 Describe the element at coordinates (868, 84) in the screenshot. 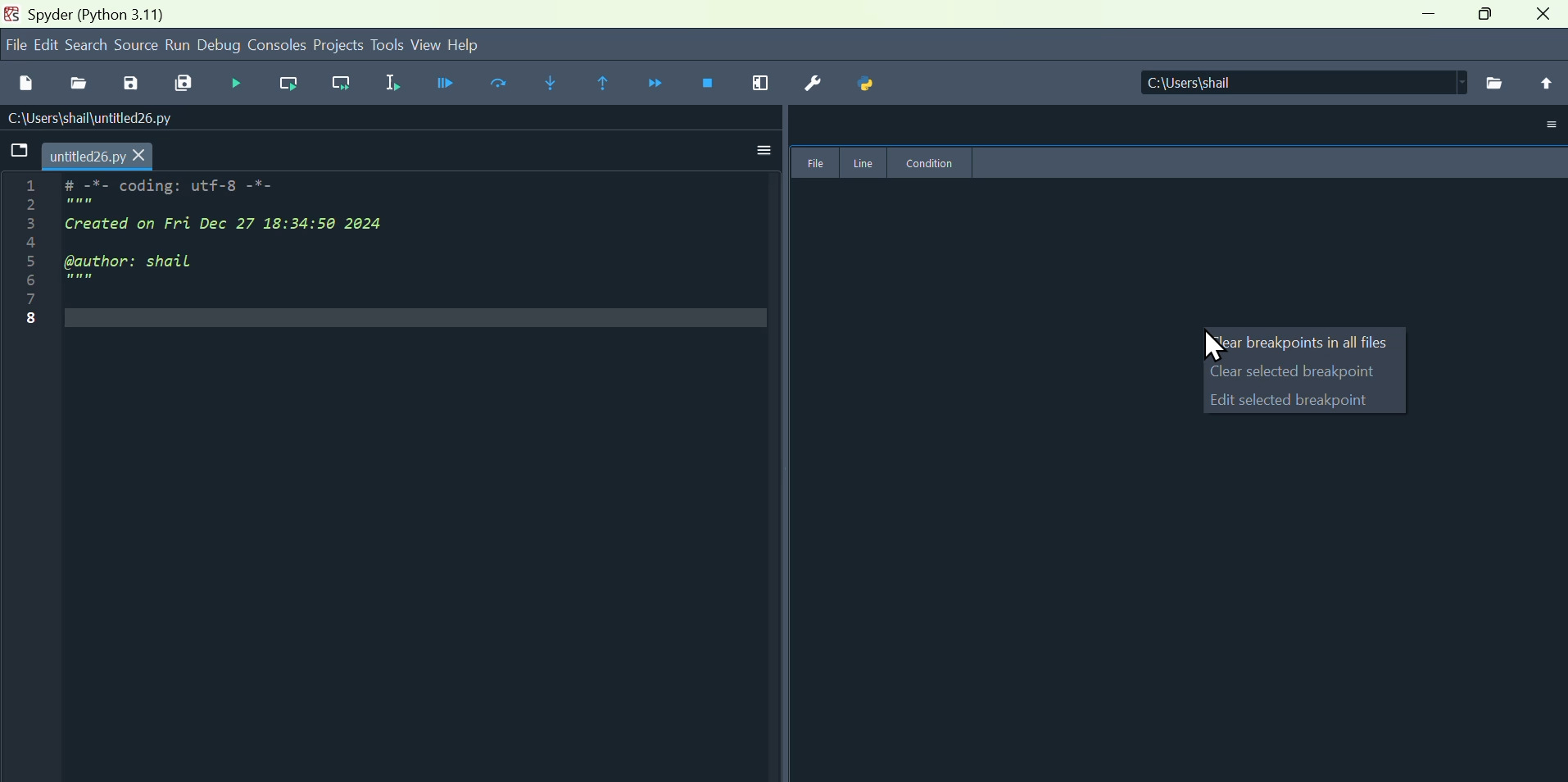

I see `Python path manager` at that location.